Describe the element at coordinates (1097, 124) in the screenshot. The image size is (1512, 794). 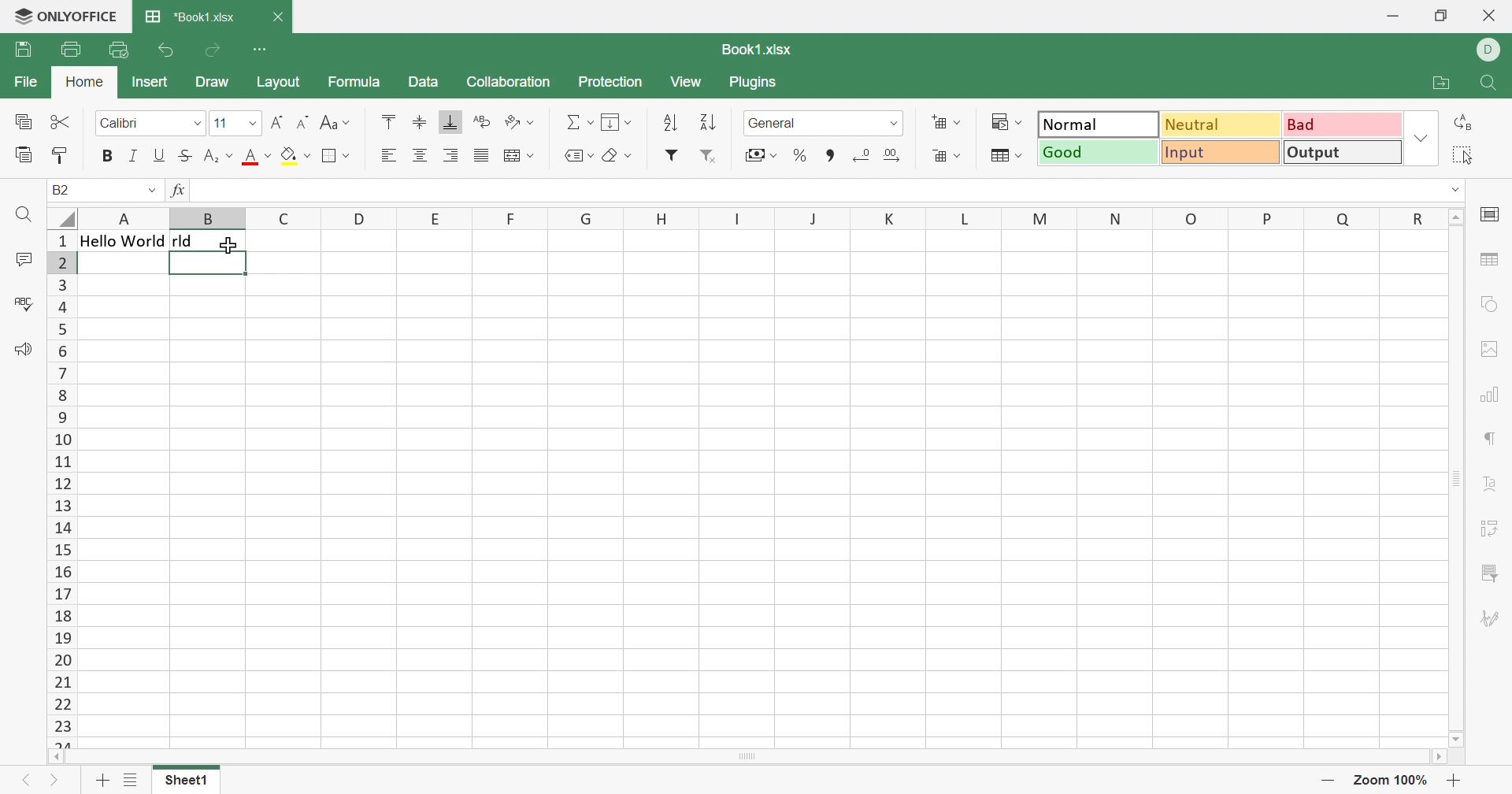
I see `Normal` at that location.